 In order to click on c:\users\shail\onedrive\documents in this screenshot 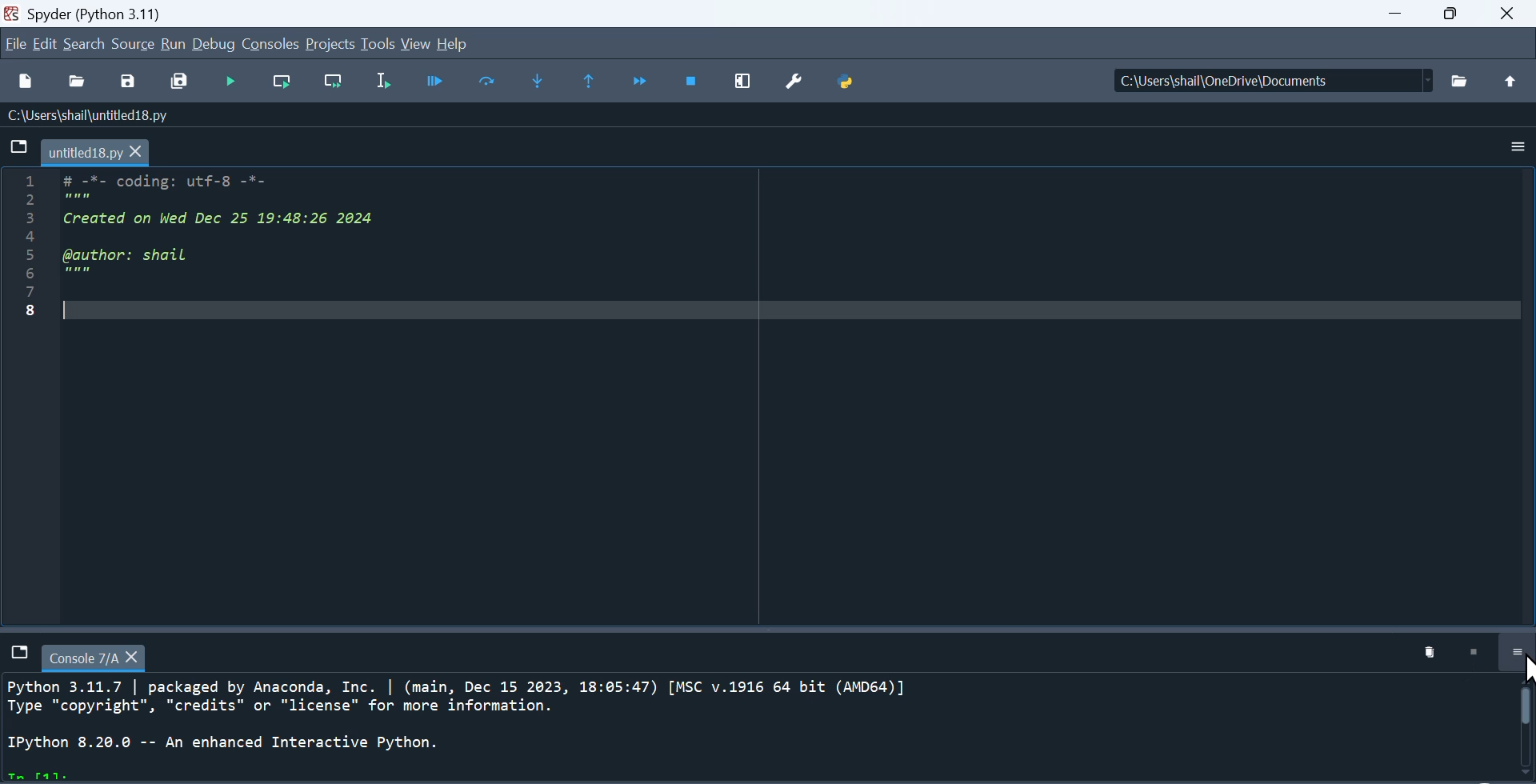, I will do `click(1274, 81)`.